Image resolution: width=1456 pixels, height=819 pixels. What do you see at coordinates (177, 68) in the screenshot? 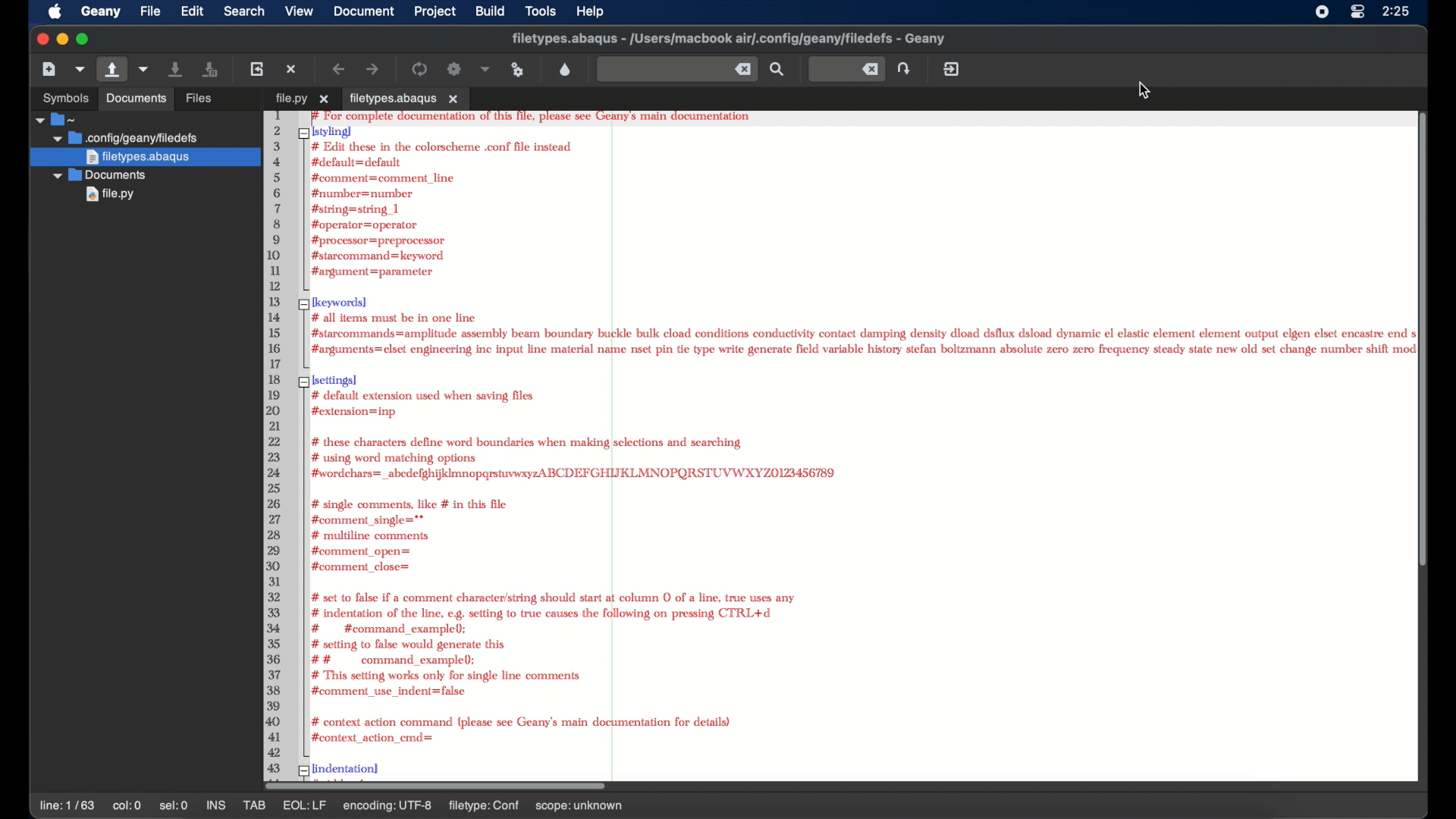
I see `save current file` at bounding box center [177, 68].